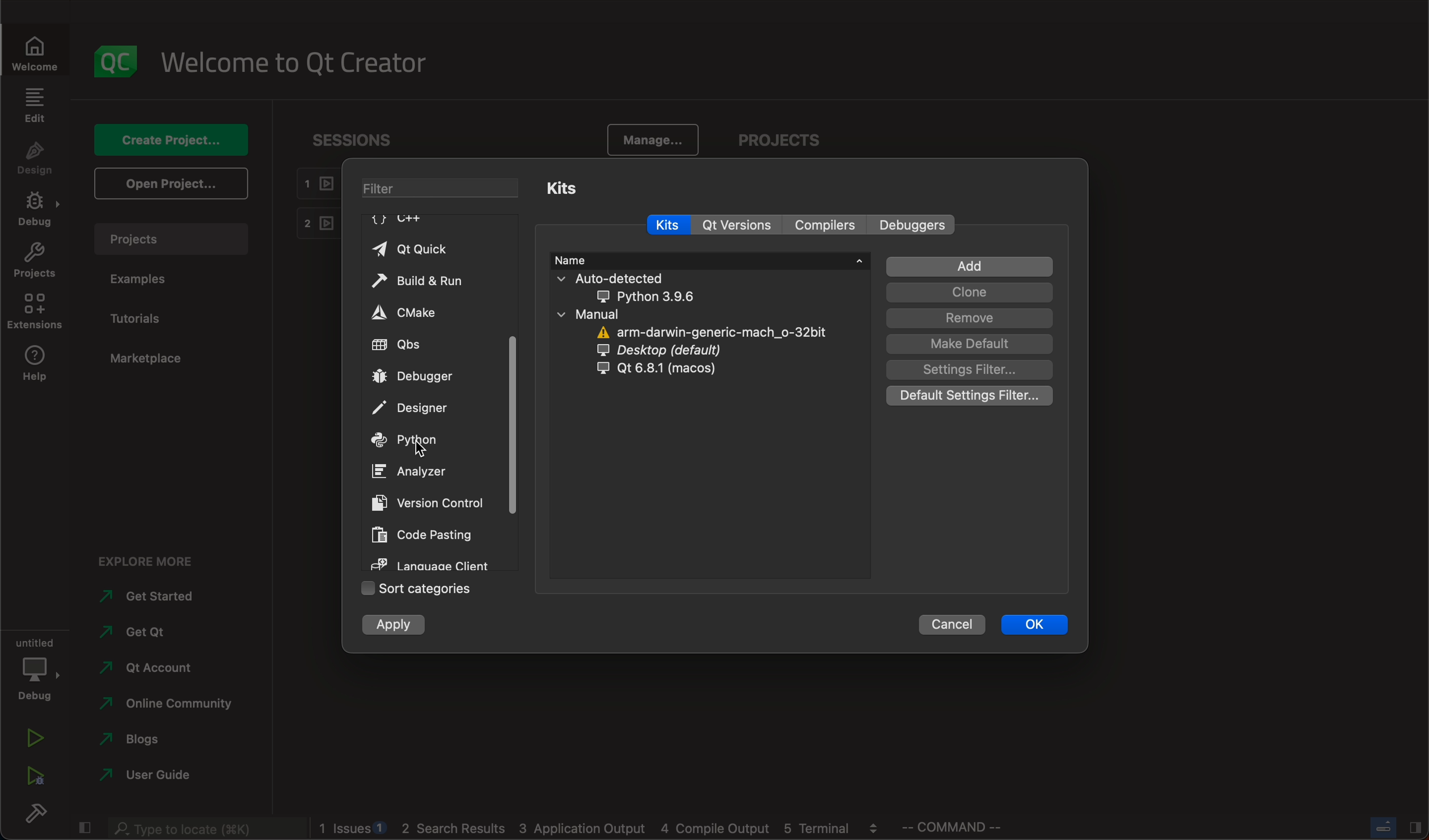 This screenshot has height=840, width=1429. What do you see at coordinates (914, 224) in the screenshot?
I see `debuggers` at bounding box center [914, 224].